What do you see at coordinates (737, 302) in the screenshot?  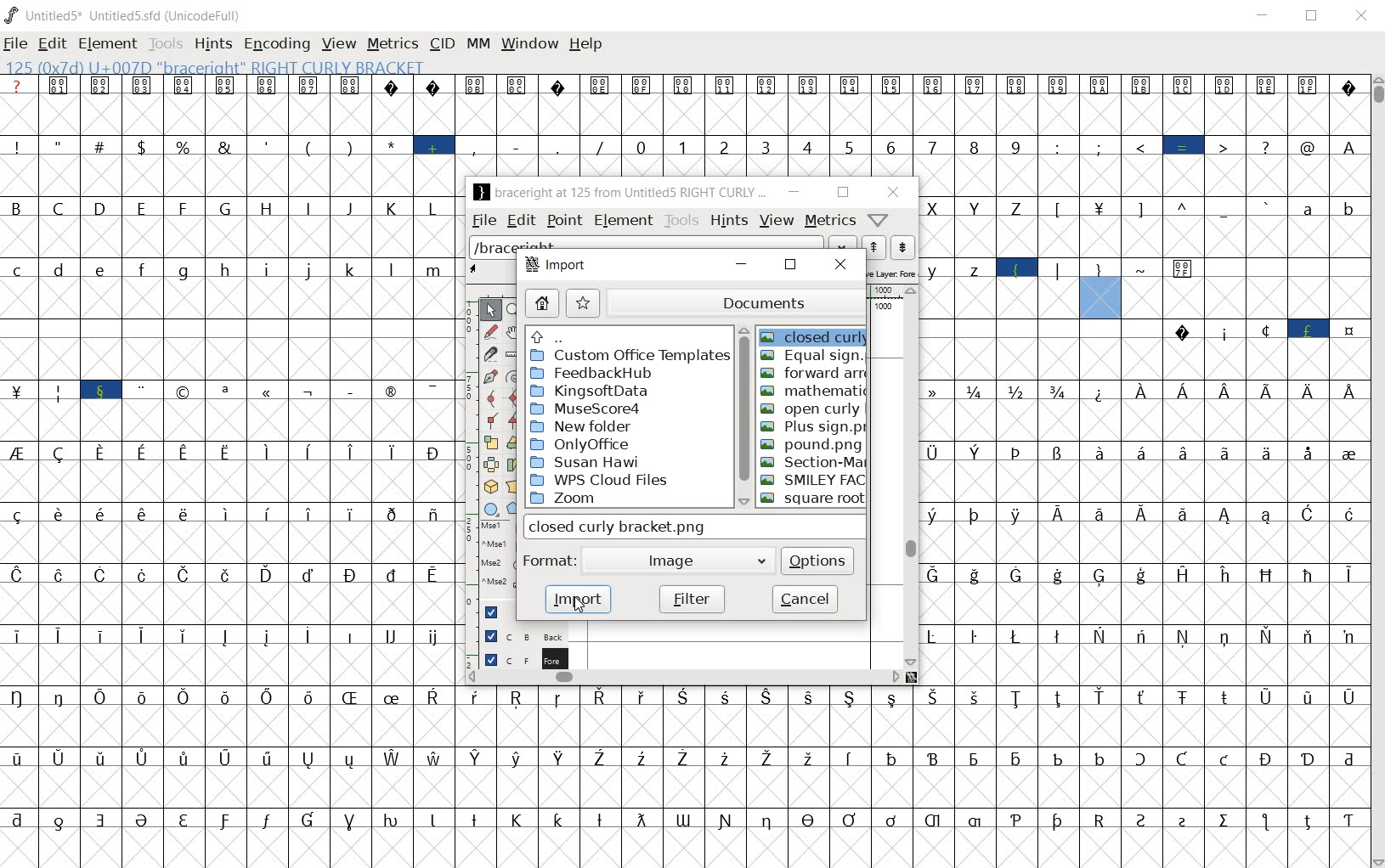 I see `documents` at bounding box center [737, 302].